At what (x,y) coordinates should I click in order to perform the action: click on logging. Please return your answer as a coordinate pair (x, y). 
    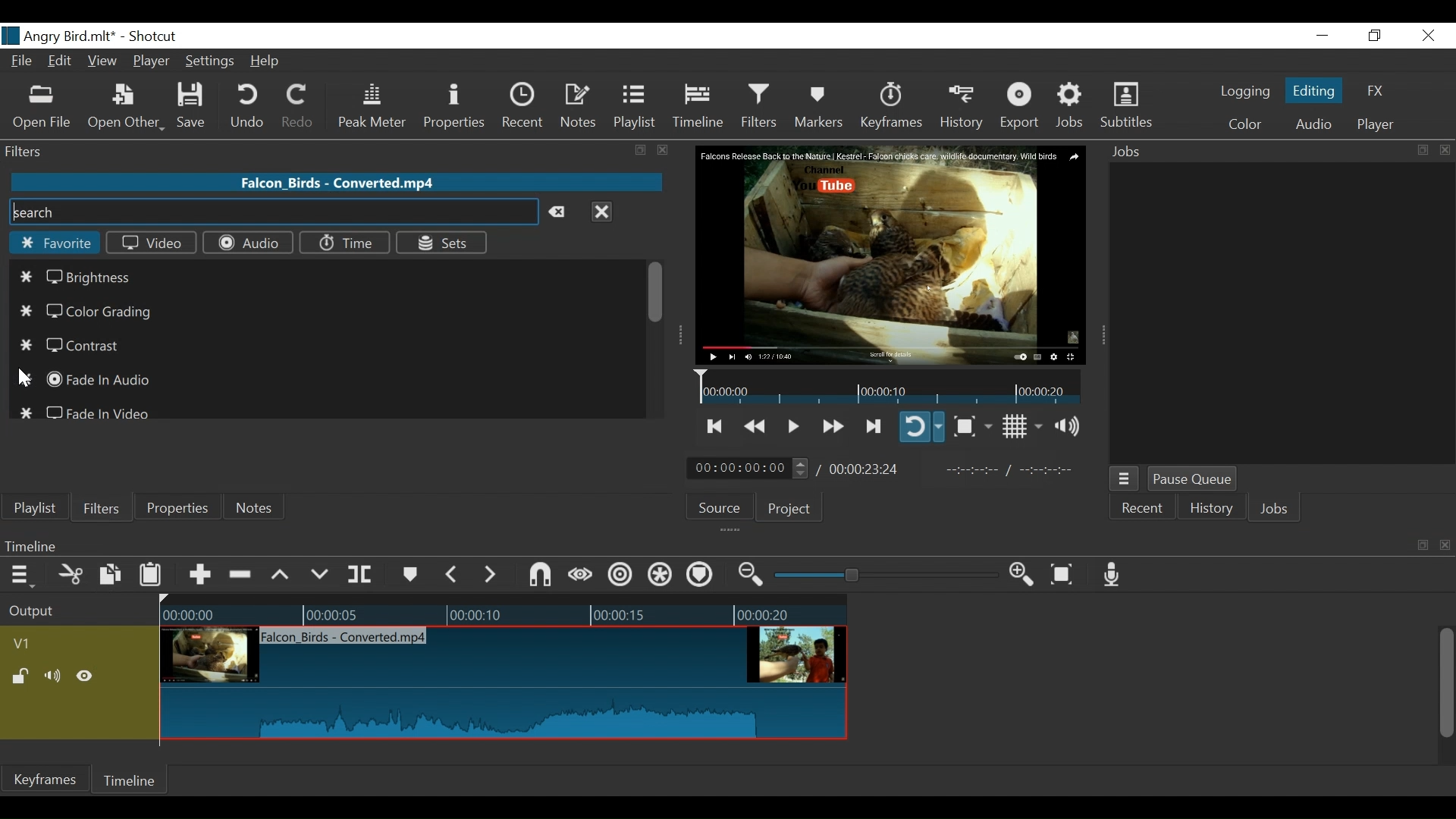
    Looking at the image, I should click on (1245, 93).